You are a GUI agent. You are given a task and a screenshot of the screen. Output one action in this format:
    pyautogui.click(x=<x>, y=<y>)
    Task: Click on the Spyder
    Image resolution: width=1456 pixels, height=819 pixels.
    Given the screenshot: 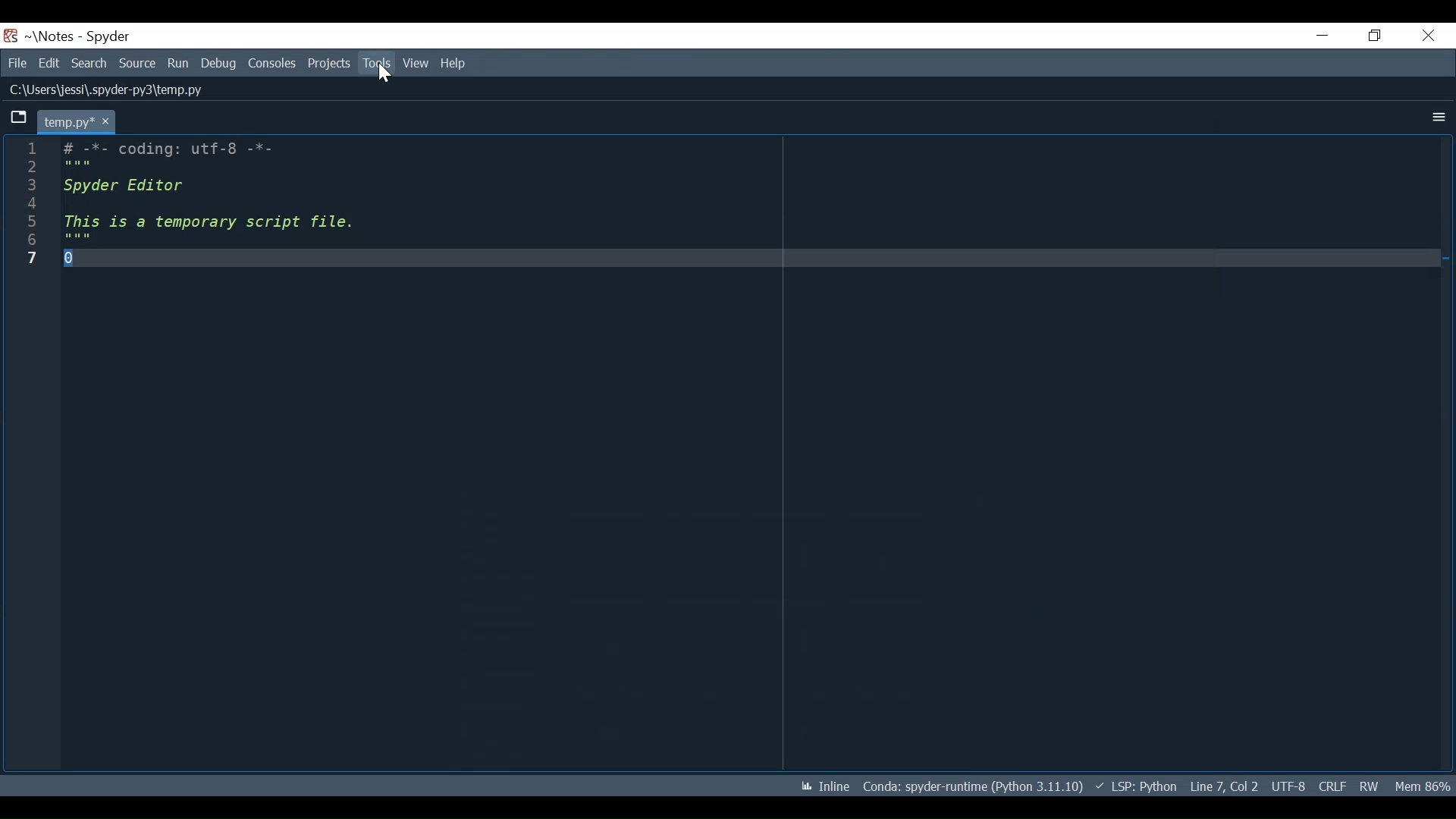 What is the action you would take?
    pyautogui.click(x=108, y=38)
    